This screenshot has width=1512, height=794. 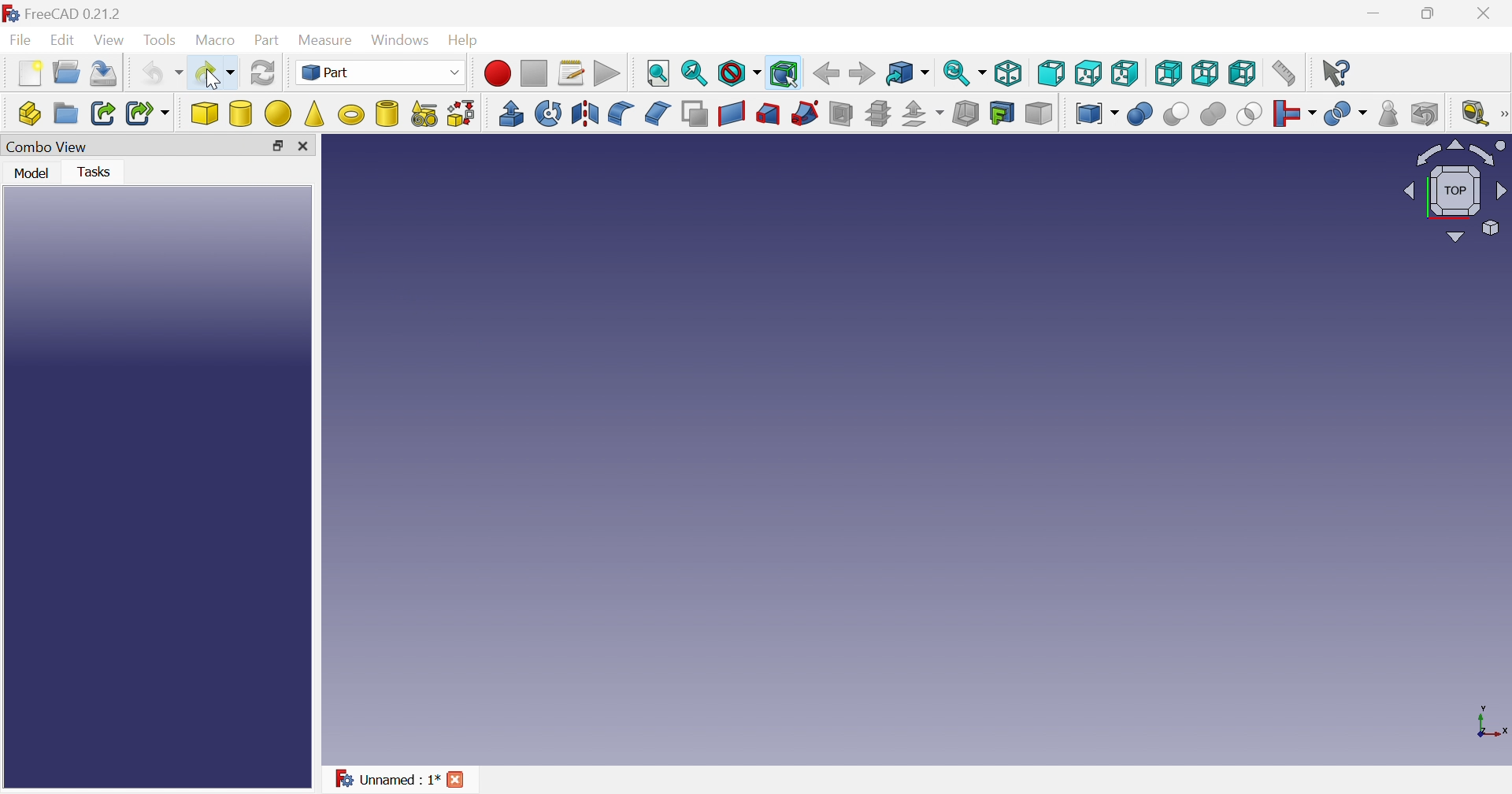 What do you see at coordinates (66, 112) in the screenshot?
I see `Create group` at bounding box center [66, 112].